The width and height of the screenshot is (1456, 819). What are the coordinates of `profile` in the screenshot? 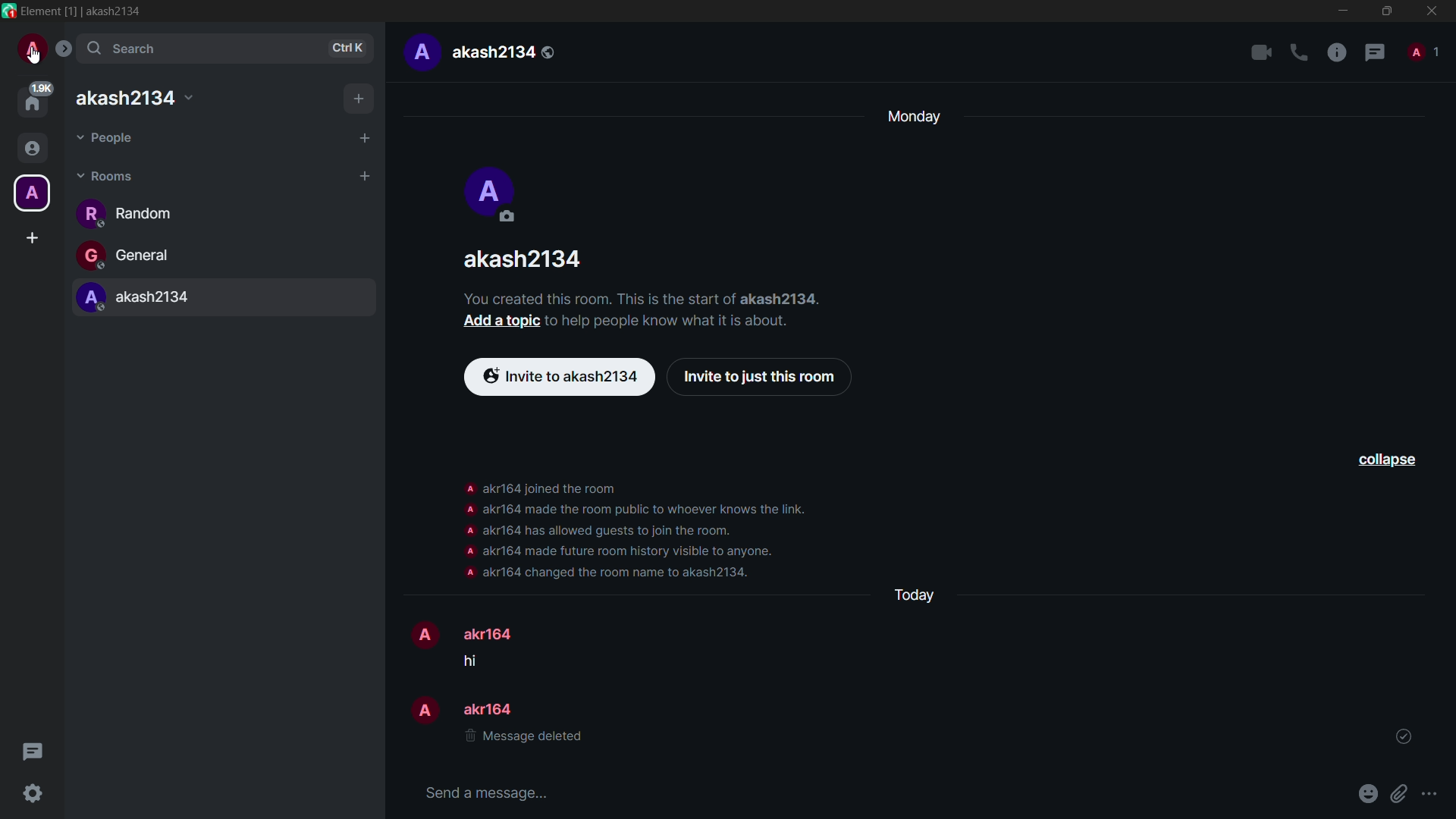 It's located at (32, 51).